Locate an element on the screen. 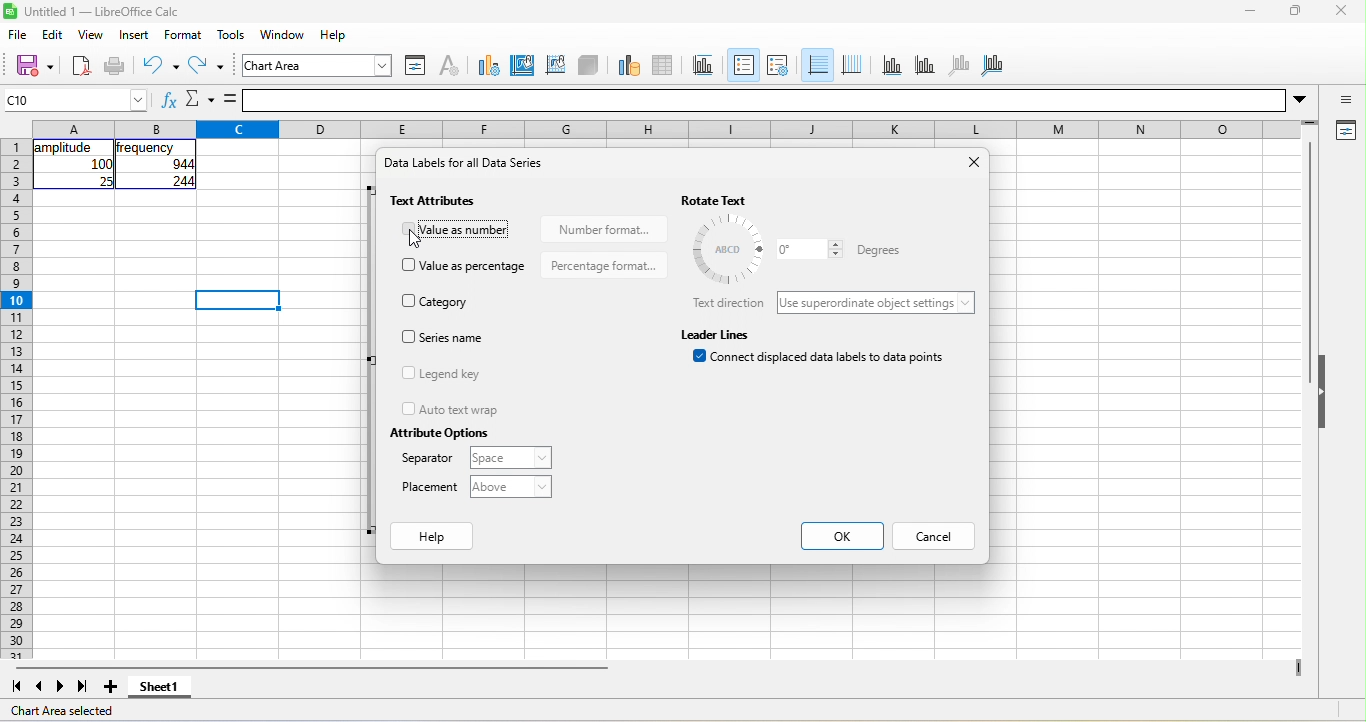  add new sheet is located at coordinates (112, 687).